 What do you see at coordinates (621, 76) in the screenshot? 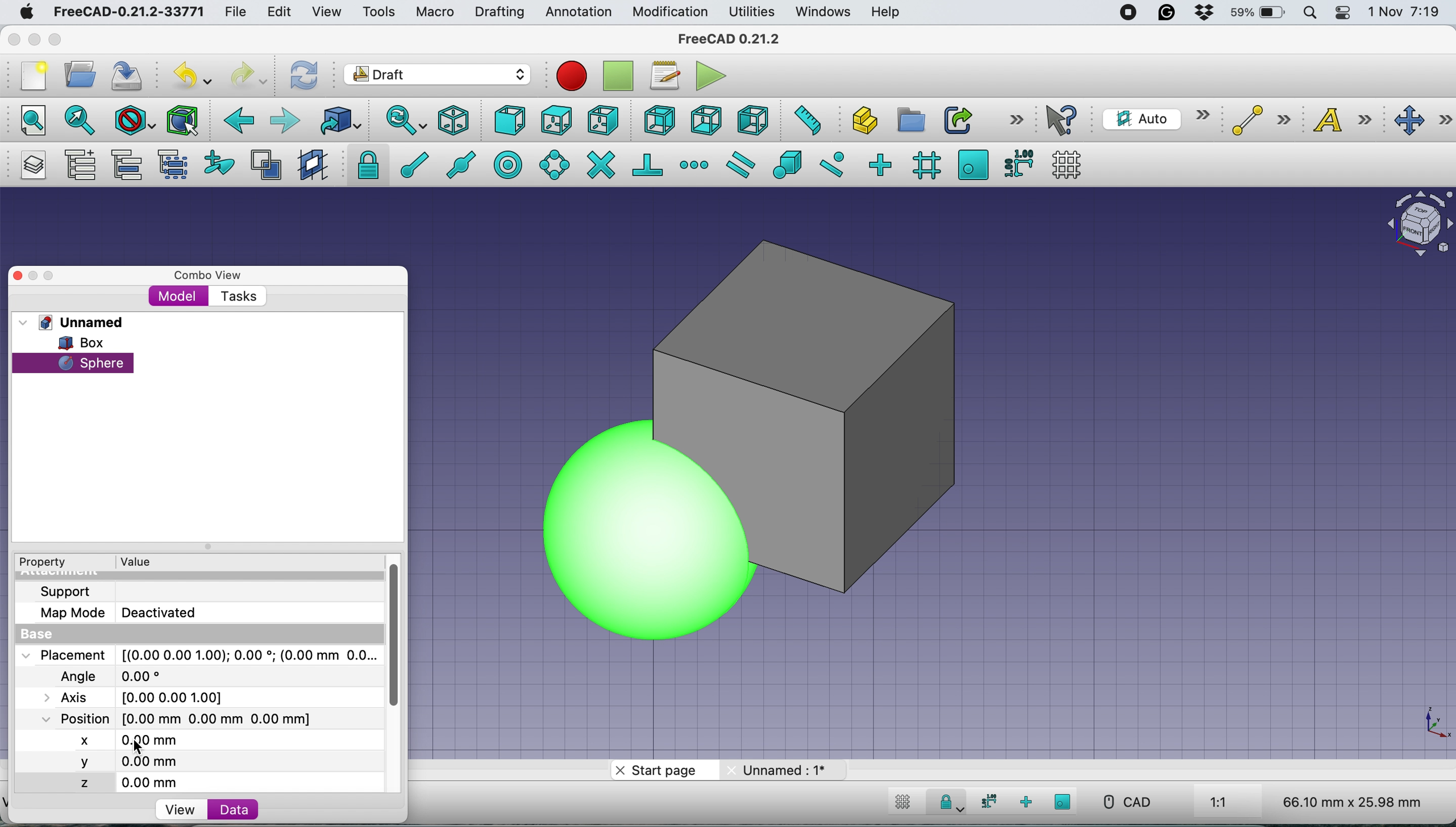
I see `stop recording macros` at bounding box center [621, 76].